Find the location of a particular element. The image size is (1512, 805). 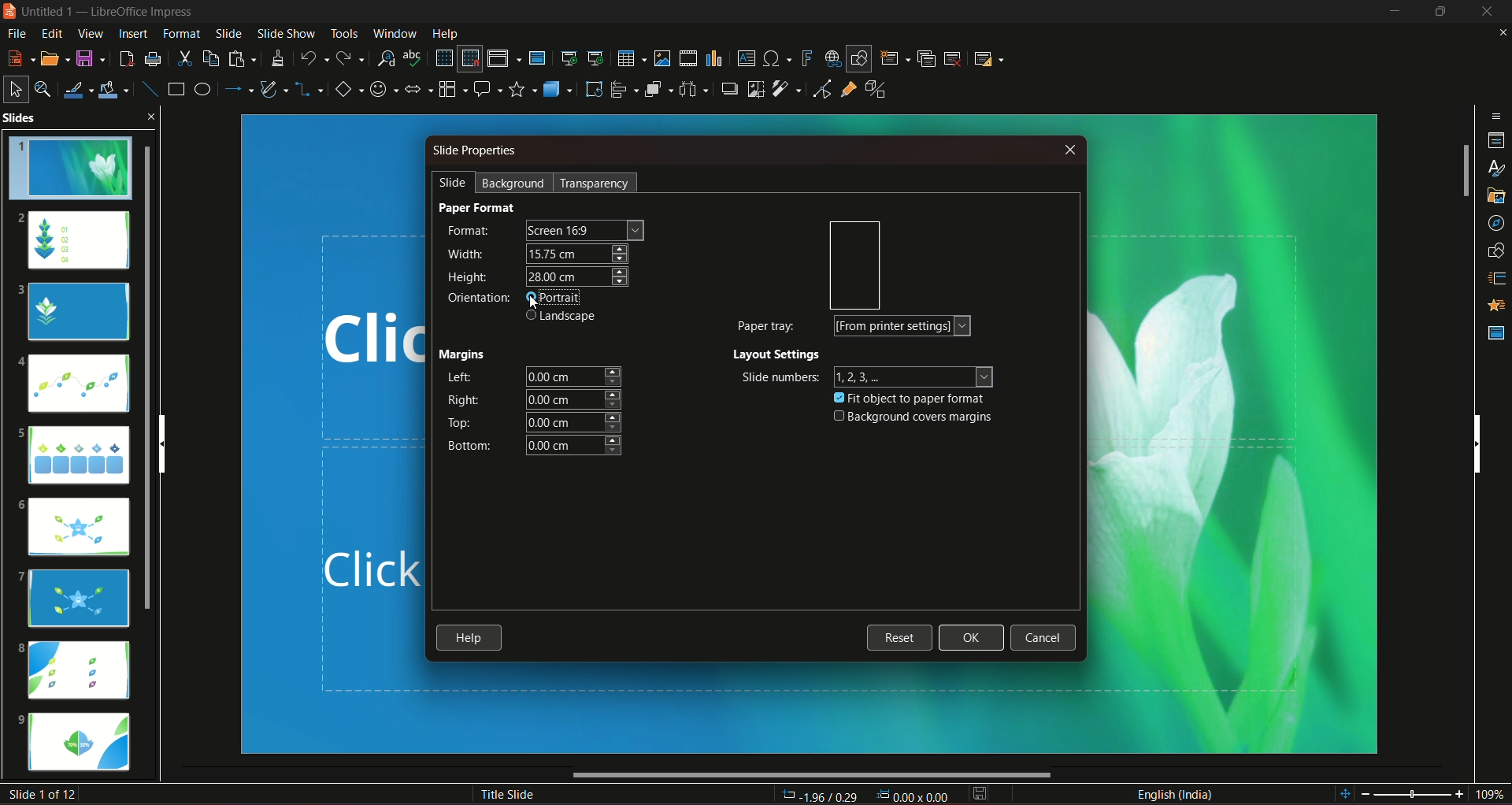

language is located at coordinates (1175, 793).